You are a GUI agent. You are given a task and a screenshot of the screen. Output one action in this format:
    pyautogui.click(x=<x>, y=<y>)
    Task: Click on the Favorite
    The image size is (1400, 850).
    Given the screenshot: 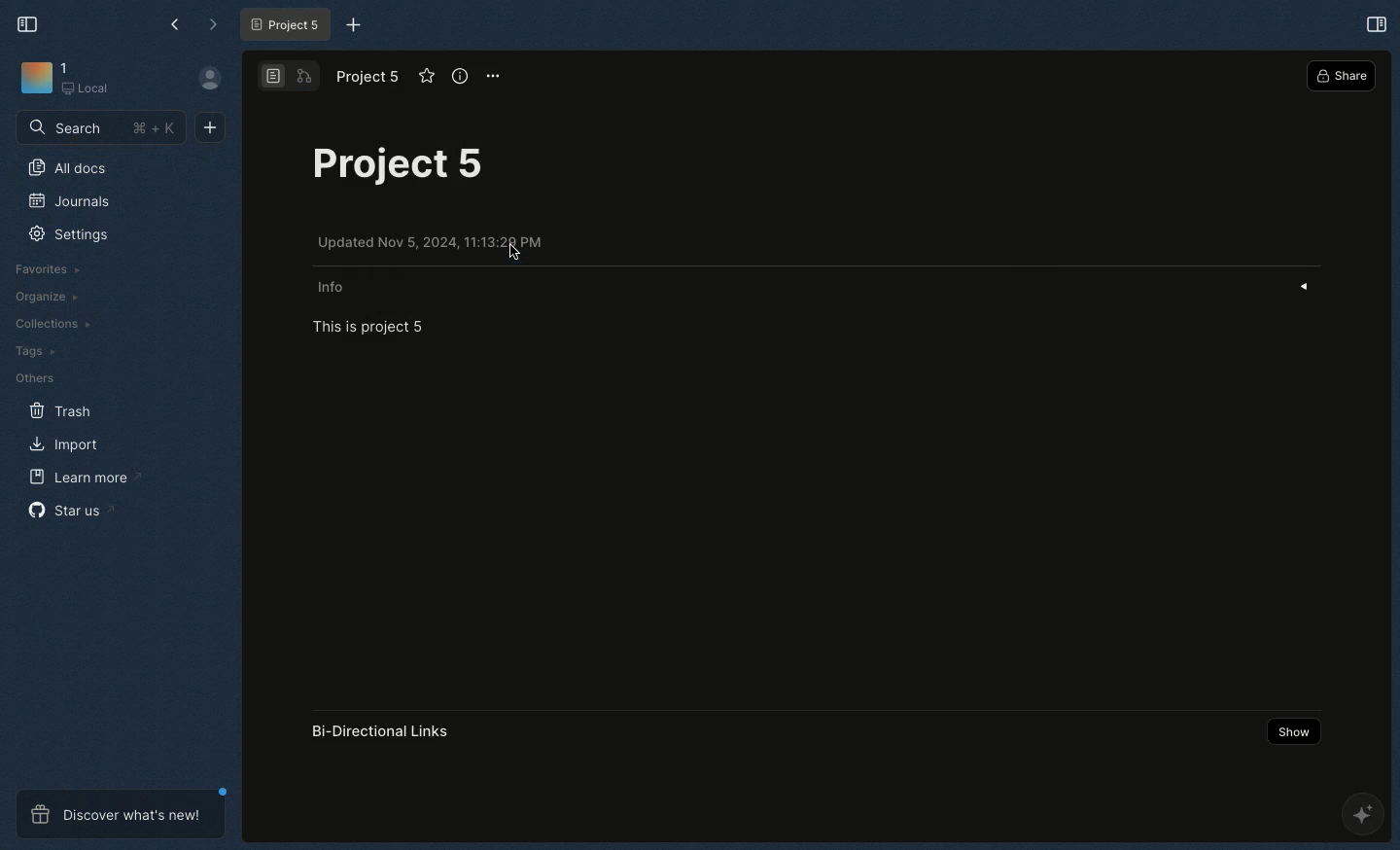 What is the action you would take?
    pyautogui.click(x=426, y=77)
    